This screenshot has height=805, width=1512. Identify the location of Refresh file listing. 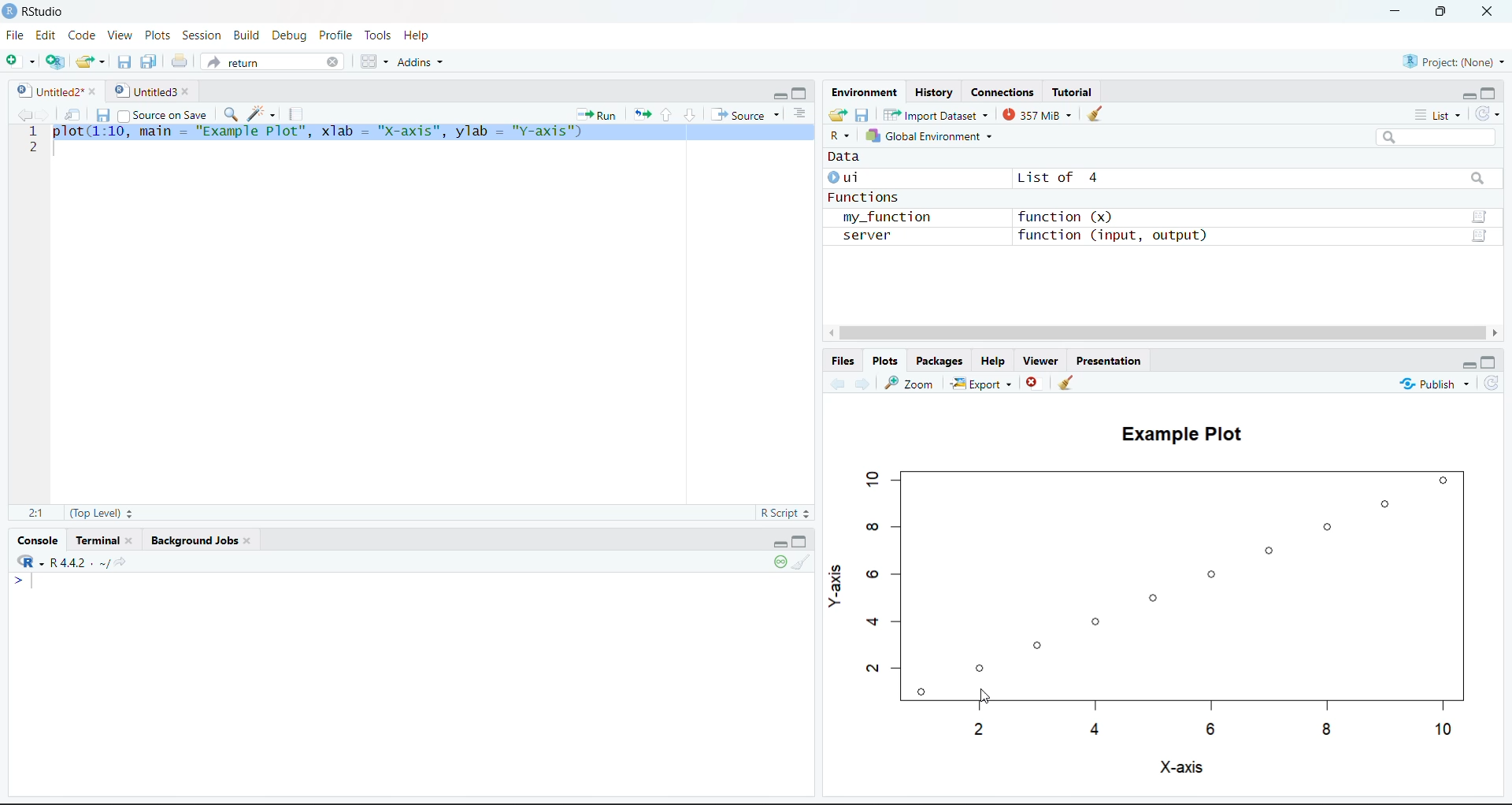
(1491, 384).